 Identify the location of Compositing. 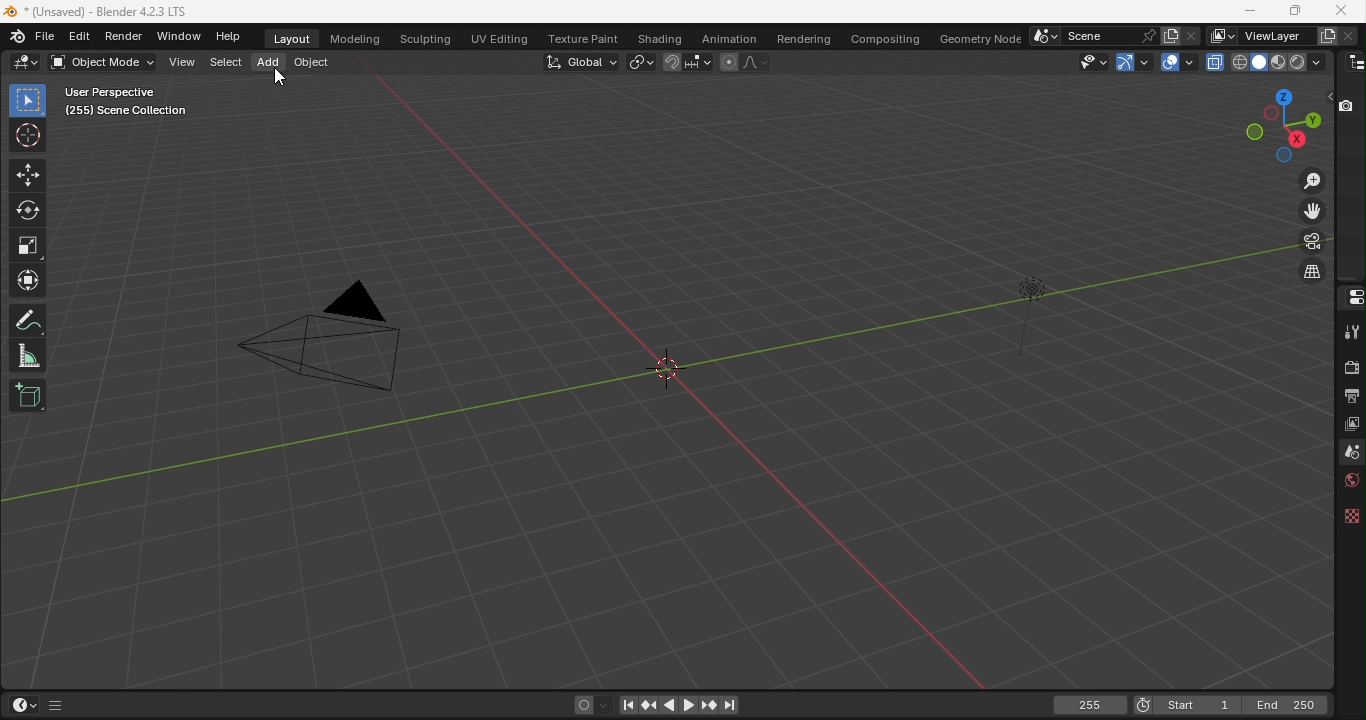
(888, 37).